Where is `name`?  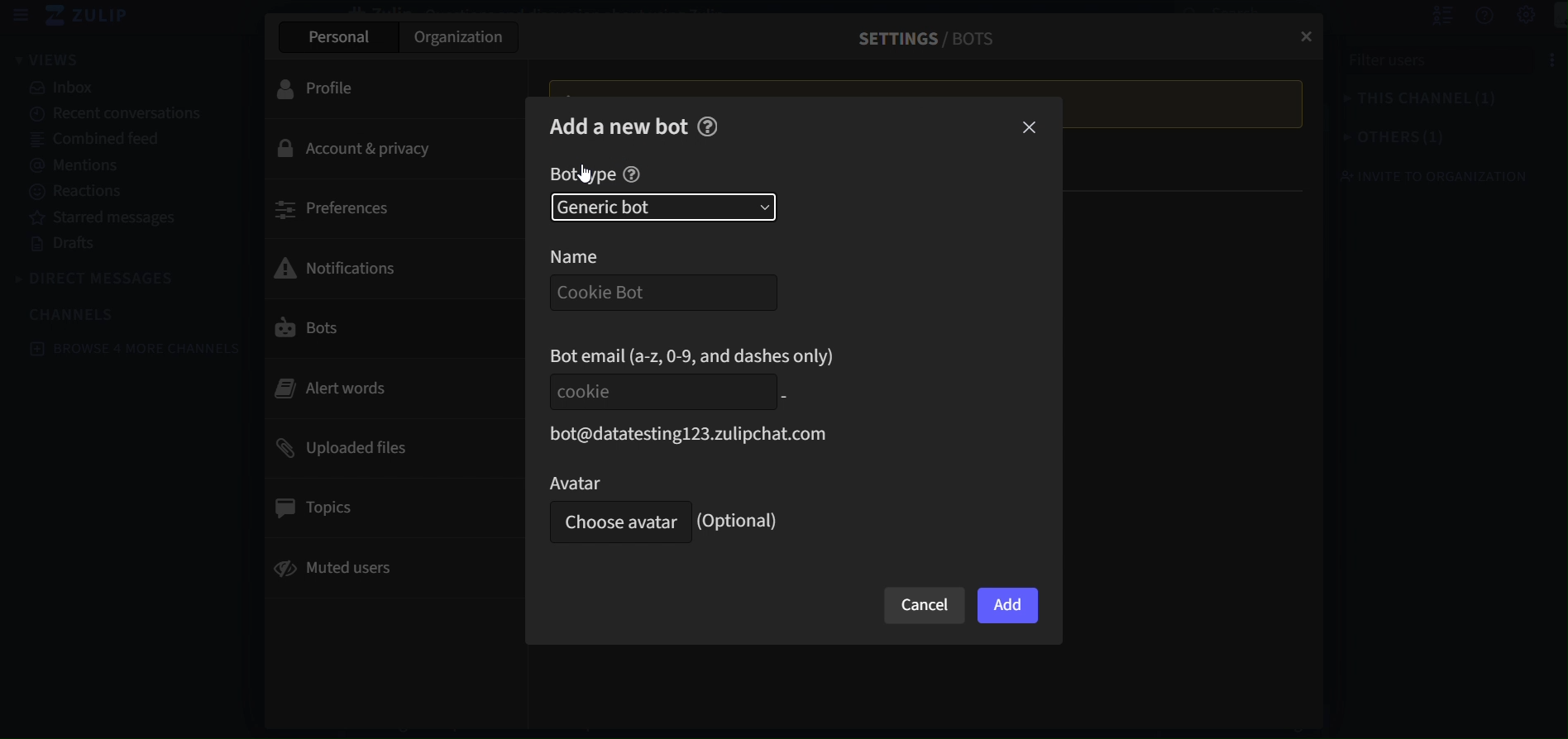
name is located at coordinates (595, 256).